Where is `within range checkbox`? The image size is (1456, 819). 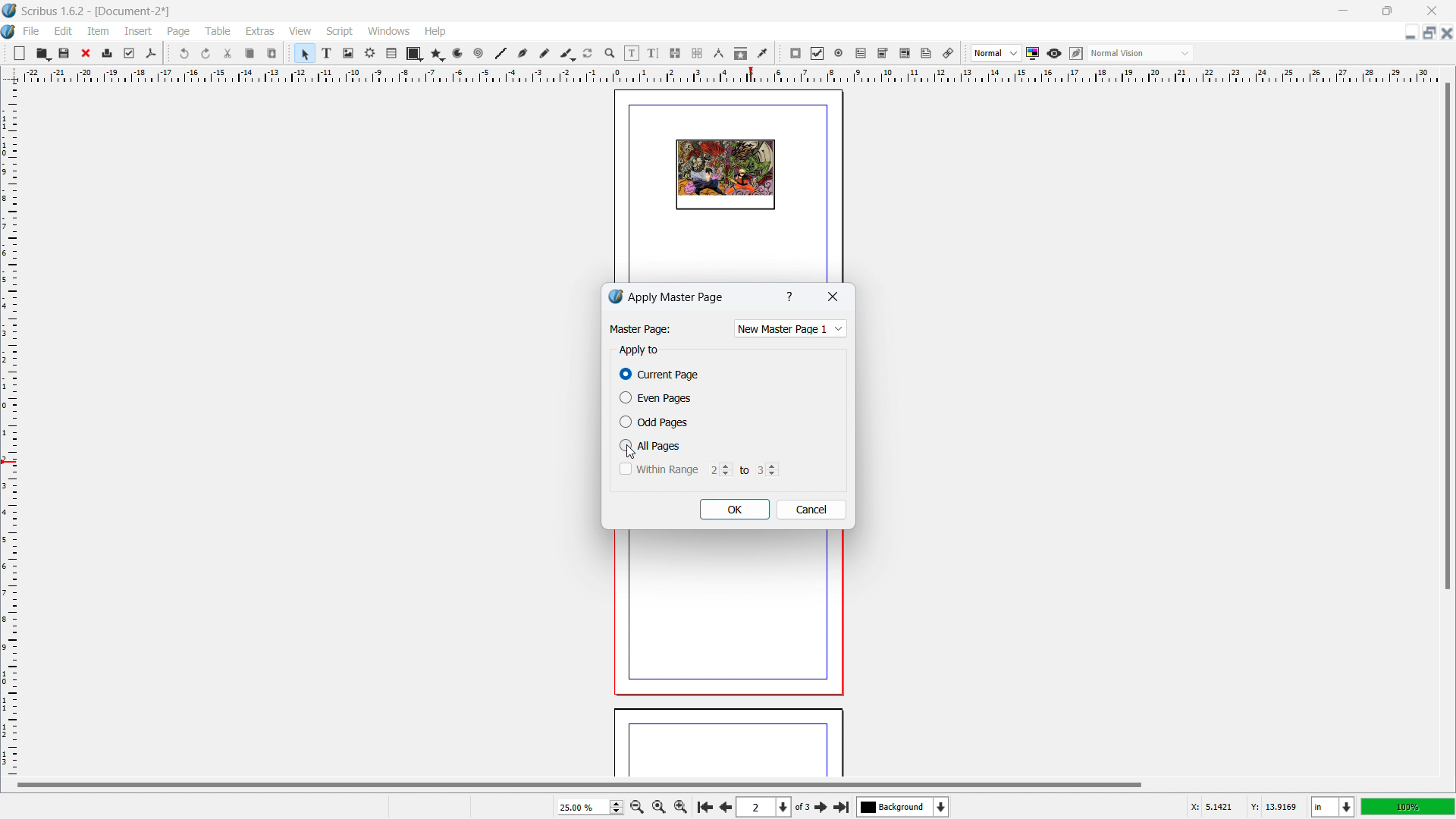 within range checkbox is located at coordinates (657, 469).